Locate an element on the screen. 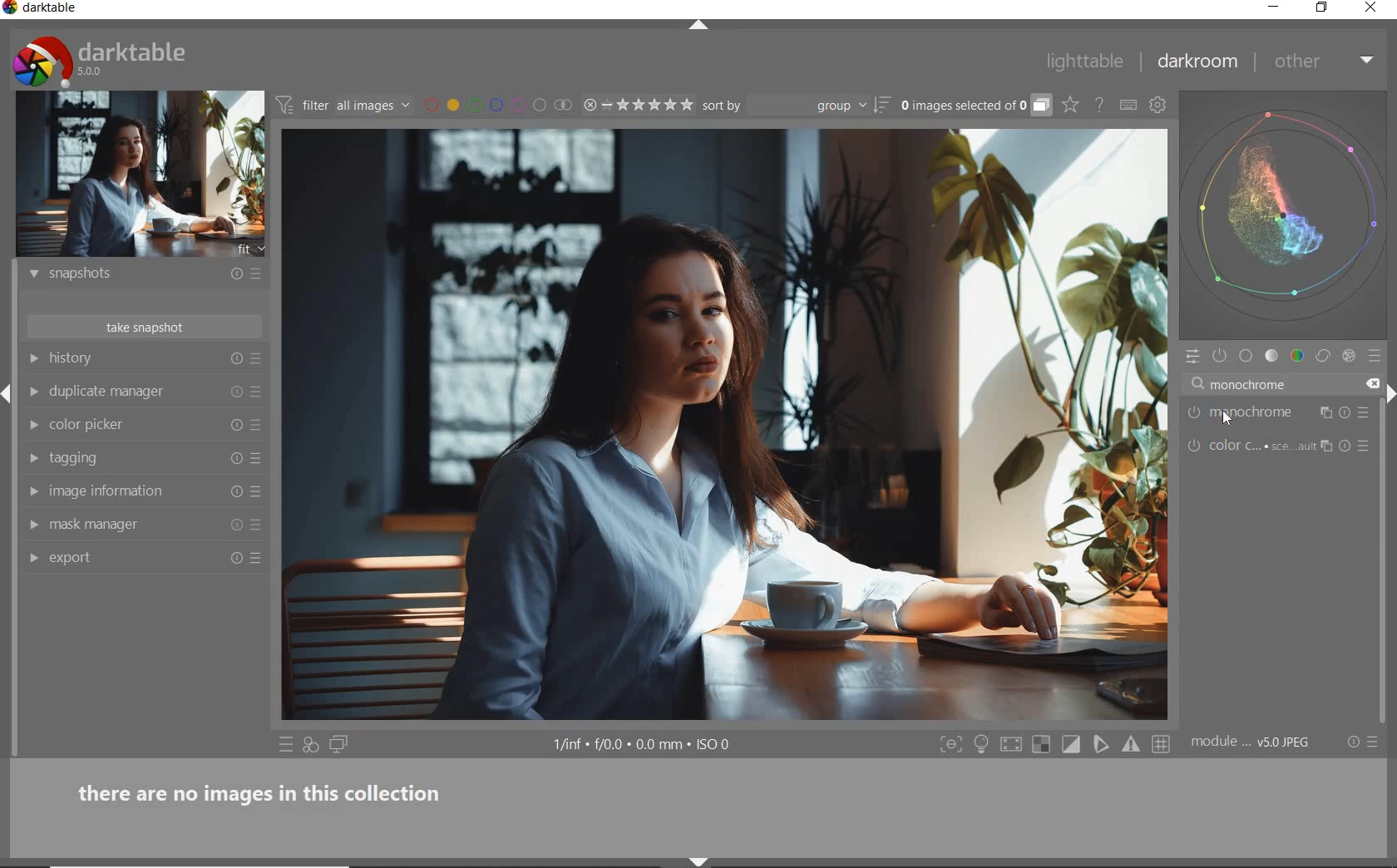  system logo is located at coordinates (101, 61).